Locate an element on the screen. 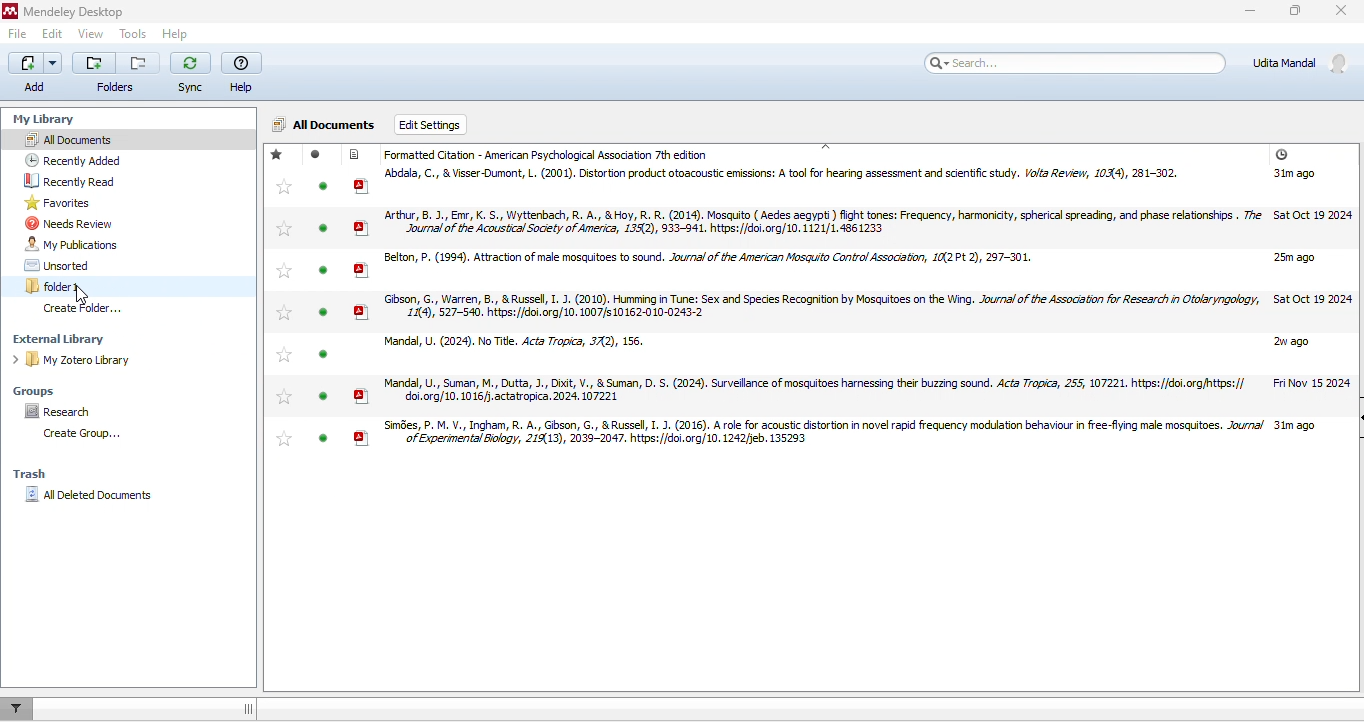 The height and width of the screenshot is (722, 1364). my zotero library is located at coordinates (97, 360).